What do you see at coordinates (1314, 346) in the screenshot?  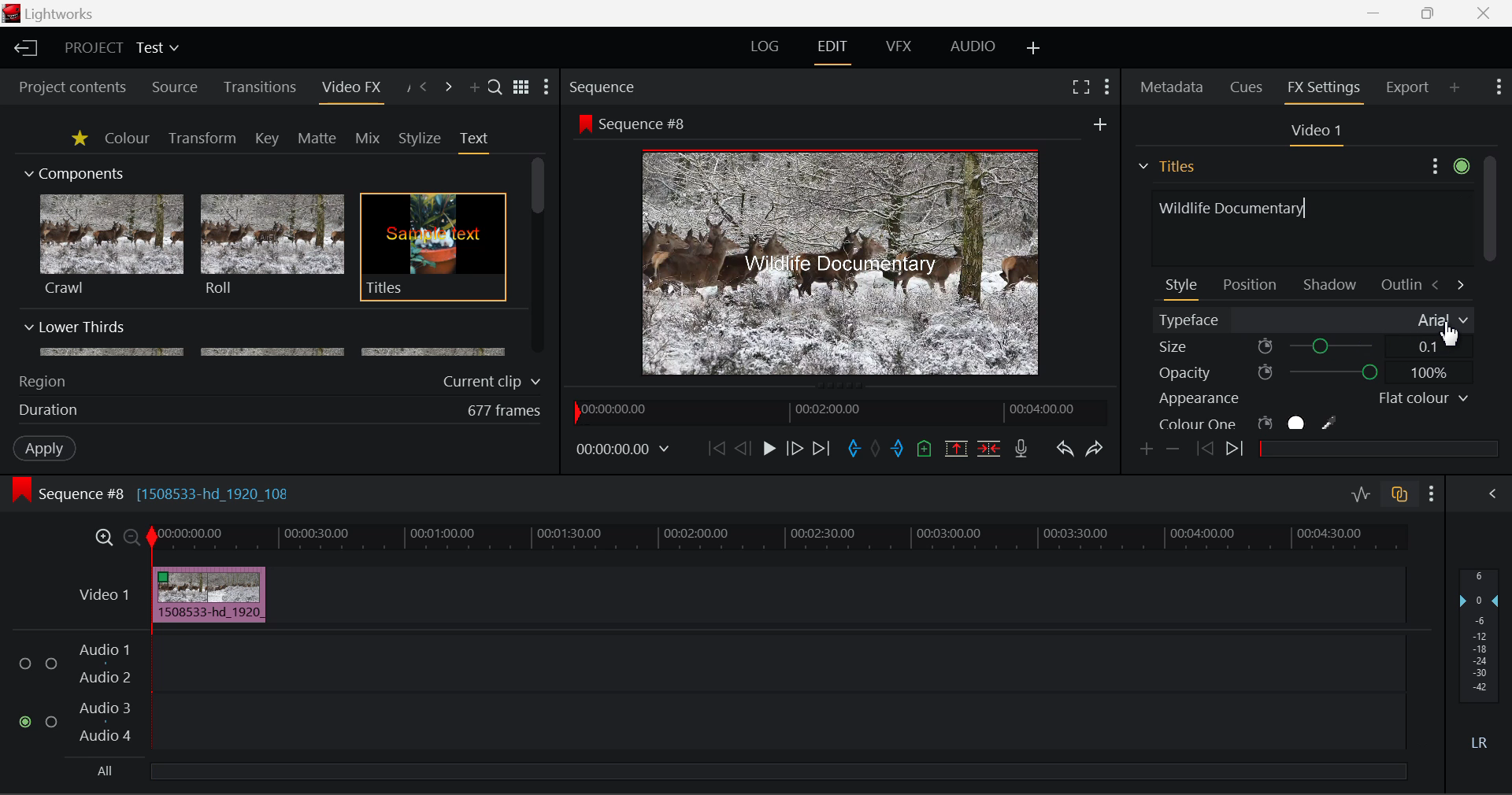 I see `Size` at bounding box center [1314, 346].